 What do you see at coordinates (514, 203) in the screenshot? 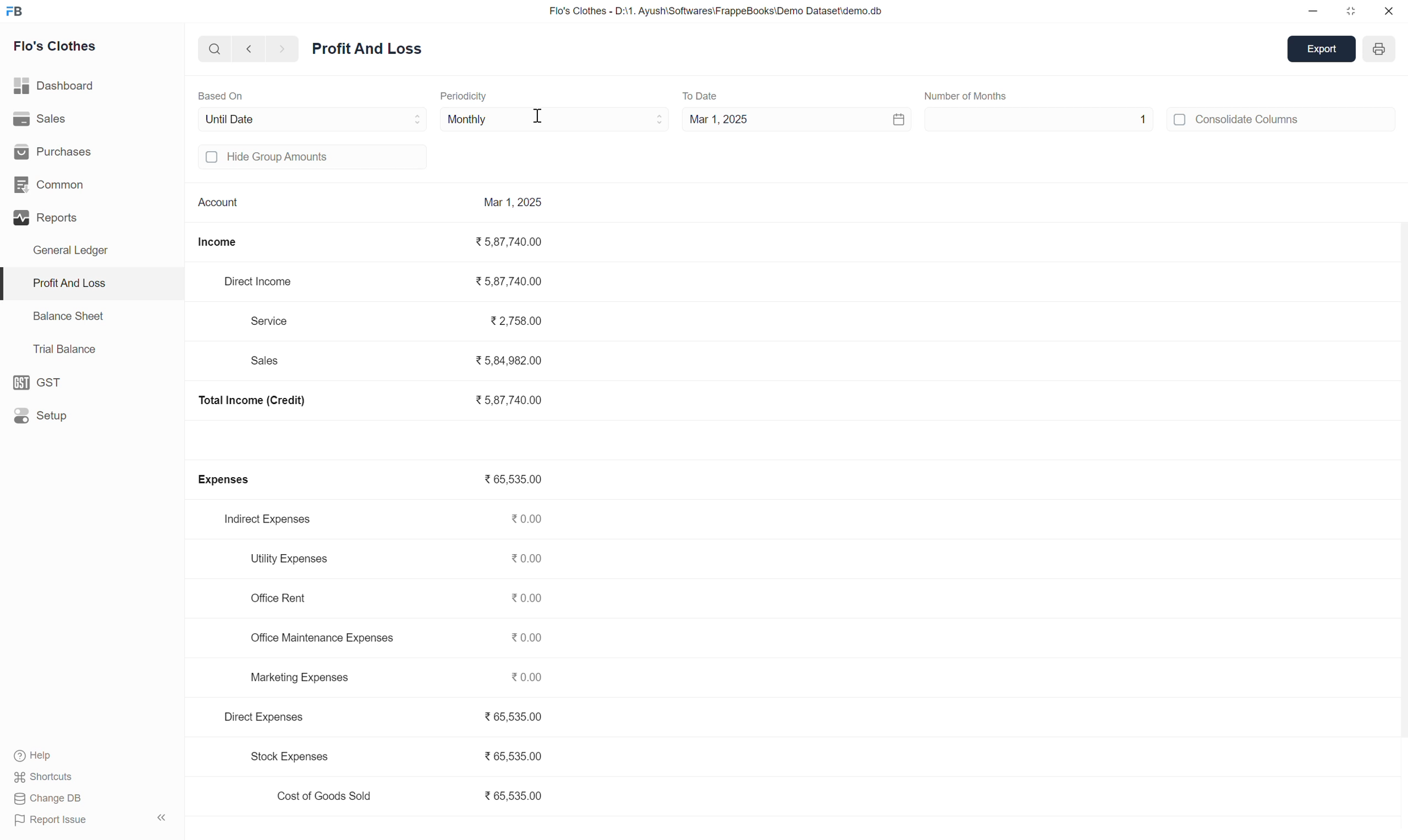
I see `Mar 1, 2025` at bounding box center [514, 203].